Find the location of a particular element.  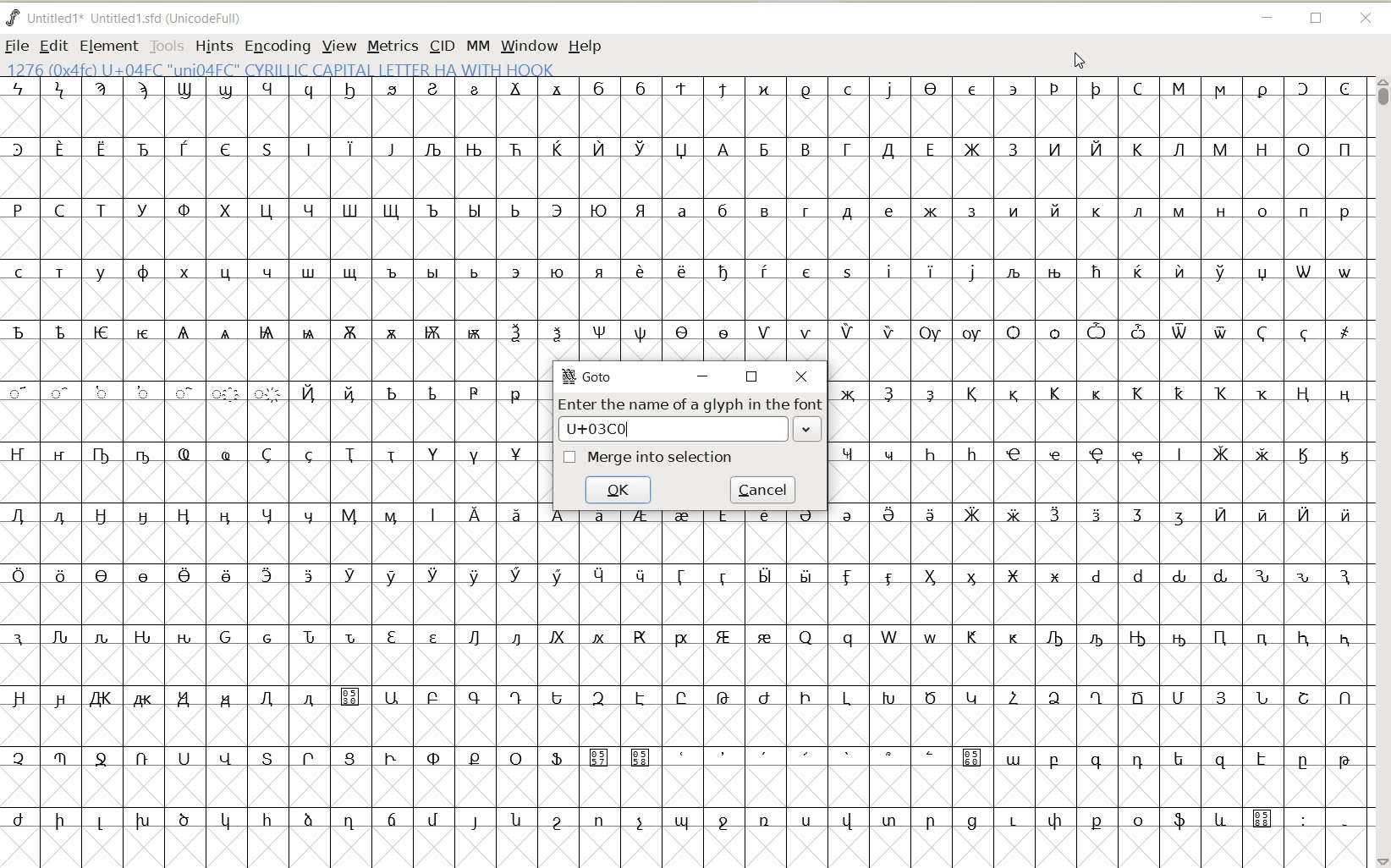

GLYPHY INFO is located at coordinates (284, 68).